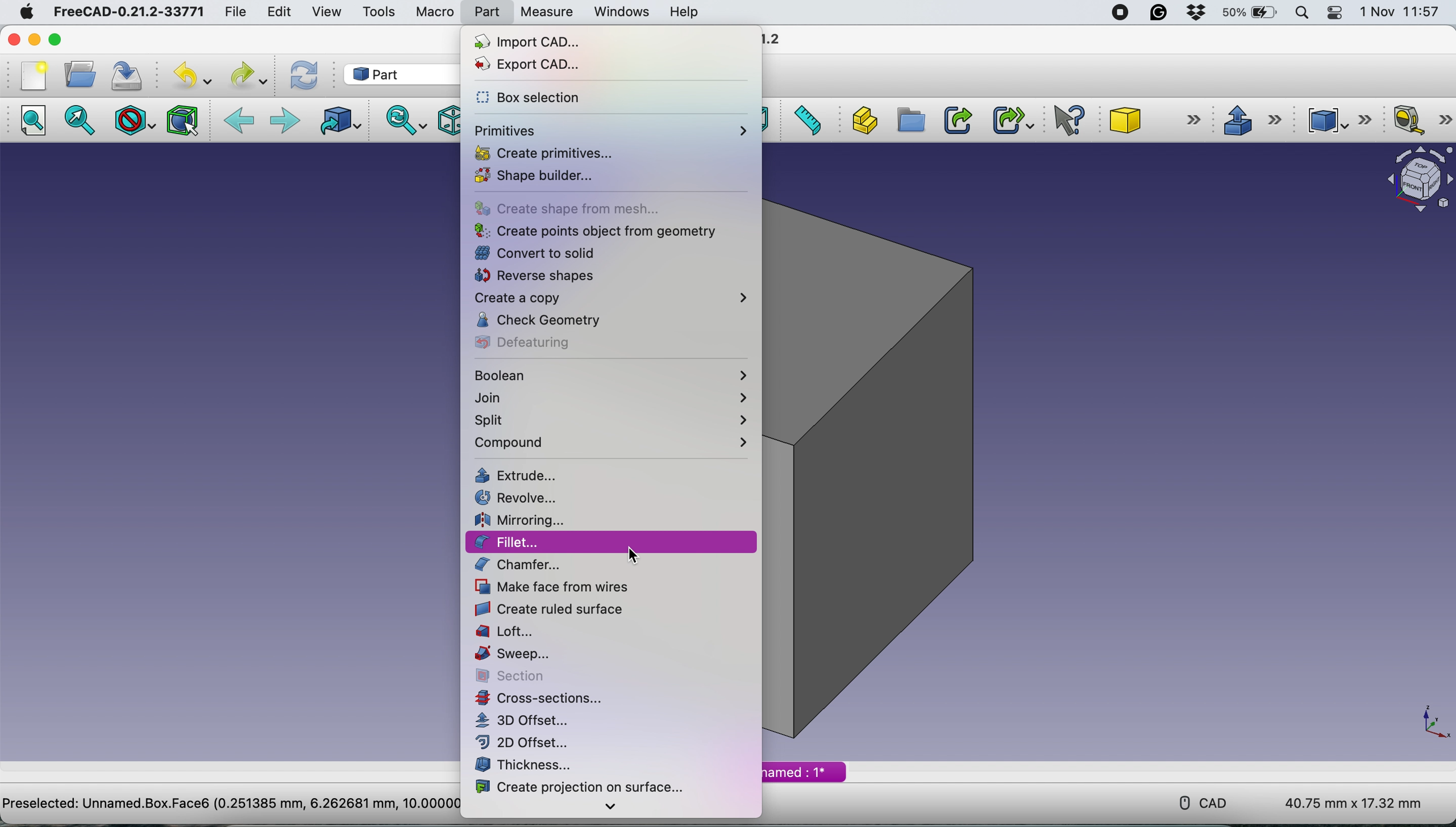 This screenshot has width=1456, height=827. I want to click on new , so click(34, 76).